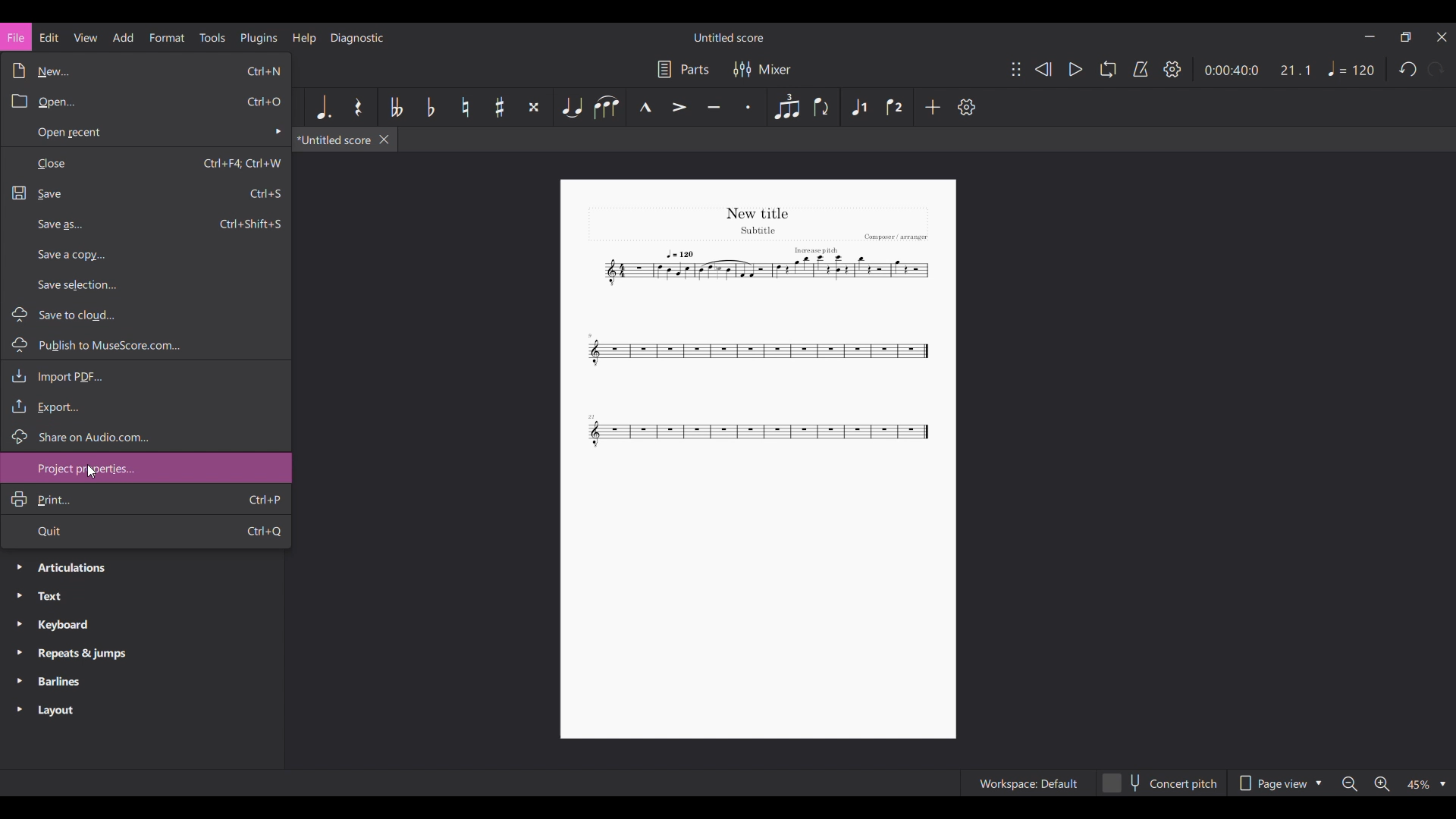 This screenshot has width=1456, height=819. I want to click on Add, so click(932, 107).